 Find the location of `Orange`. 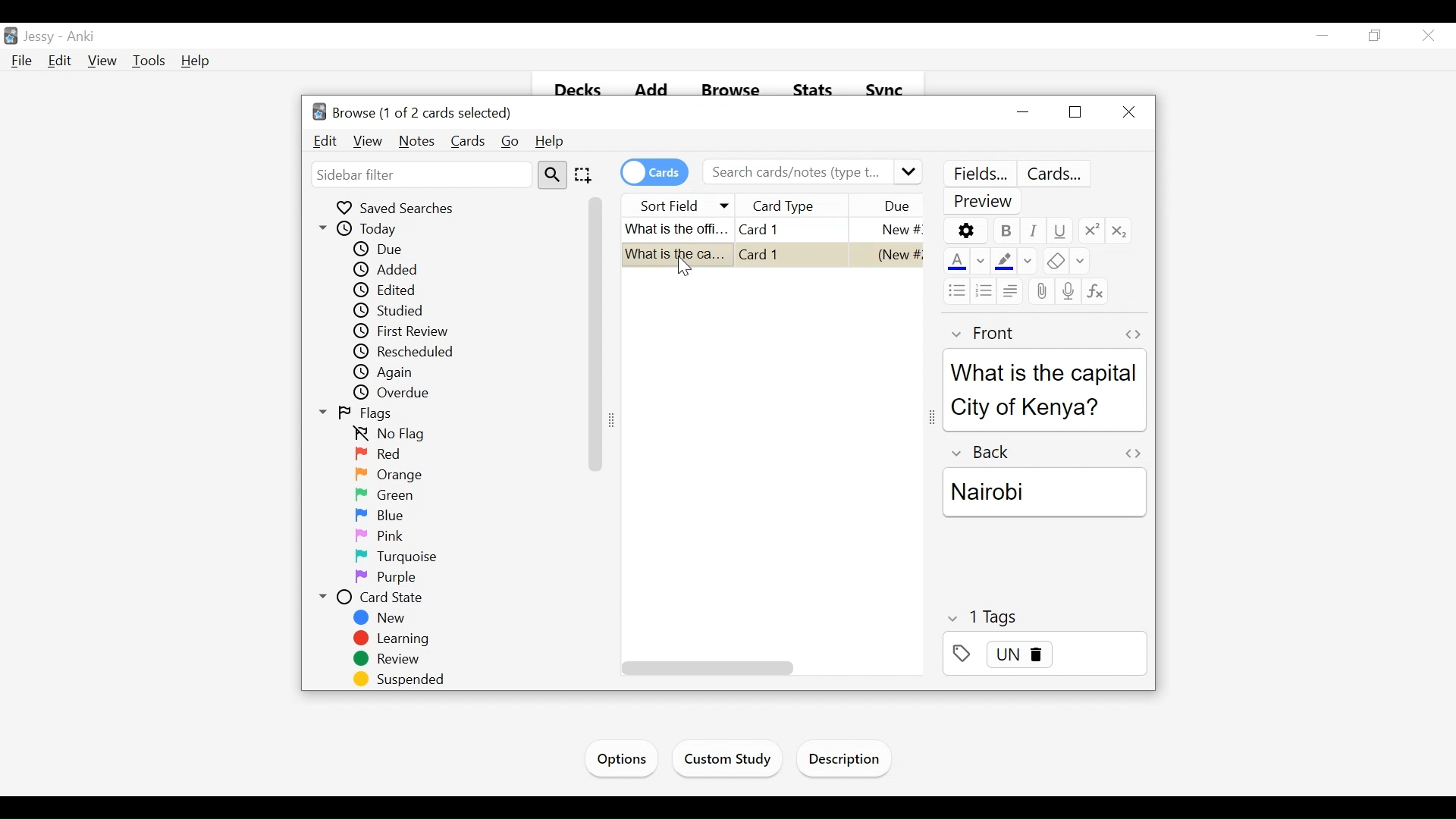

Orange is located at coordinates (393, 474).